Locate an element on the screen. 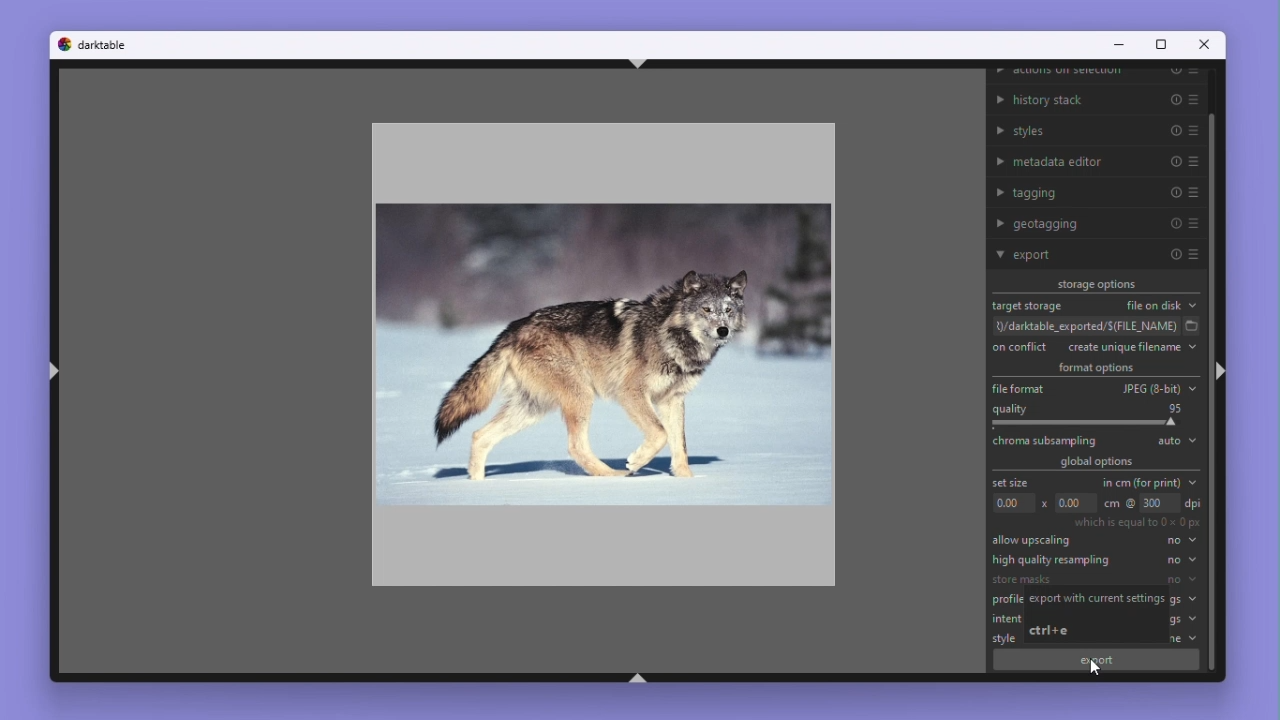  ctrl+shift+l is located at coordinates (54, 371).